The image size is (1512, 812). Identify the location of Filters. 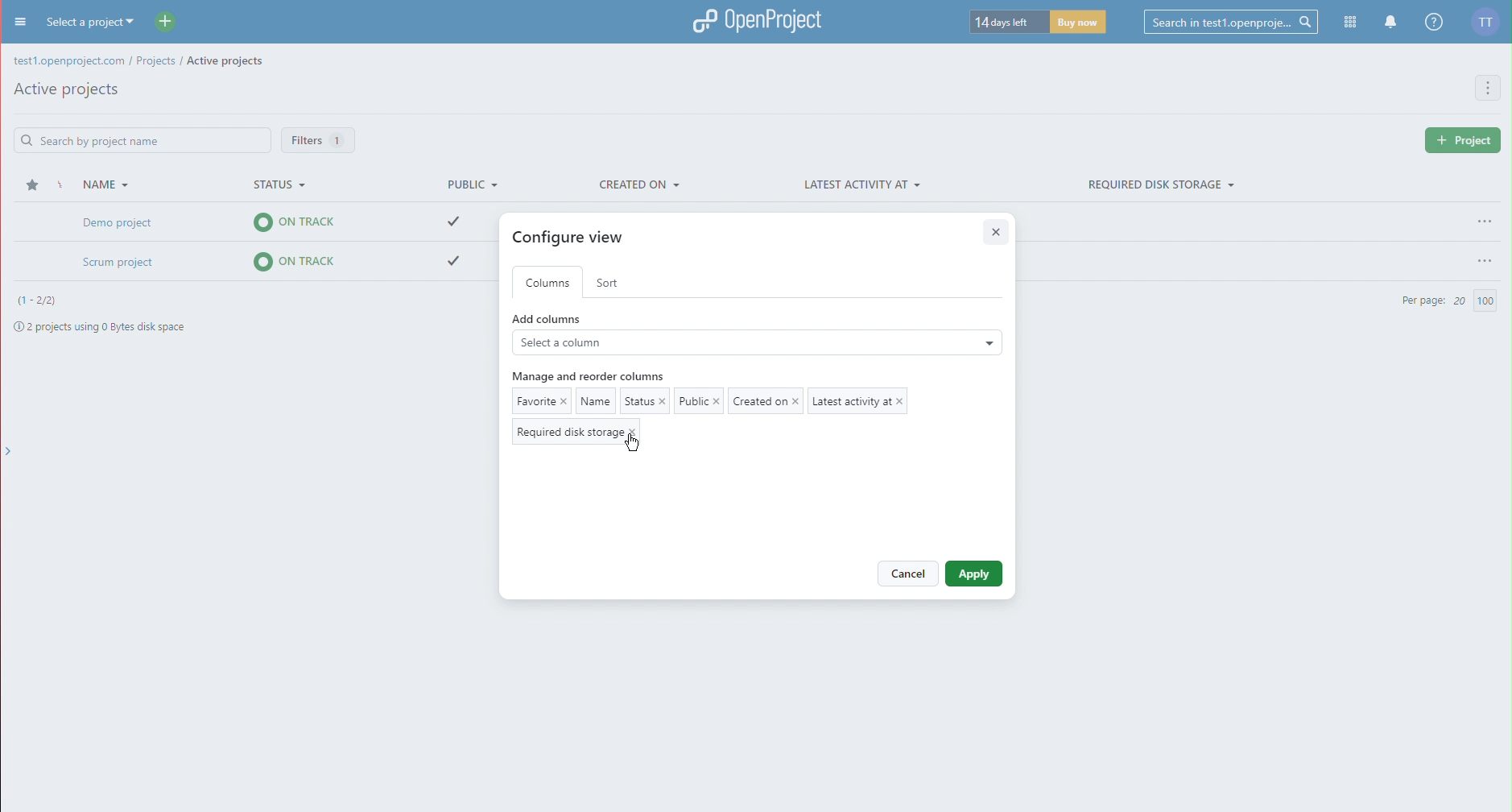
(318, 138).